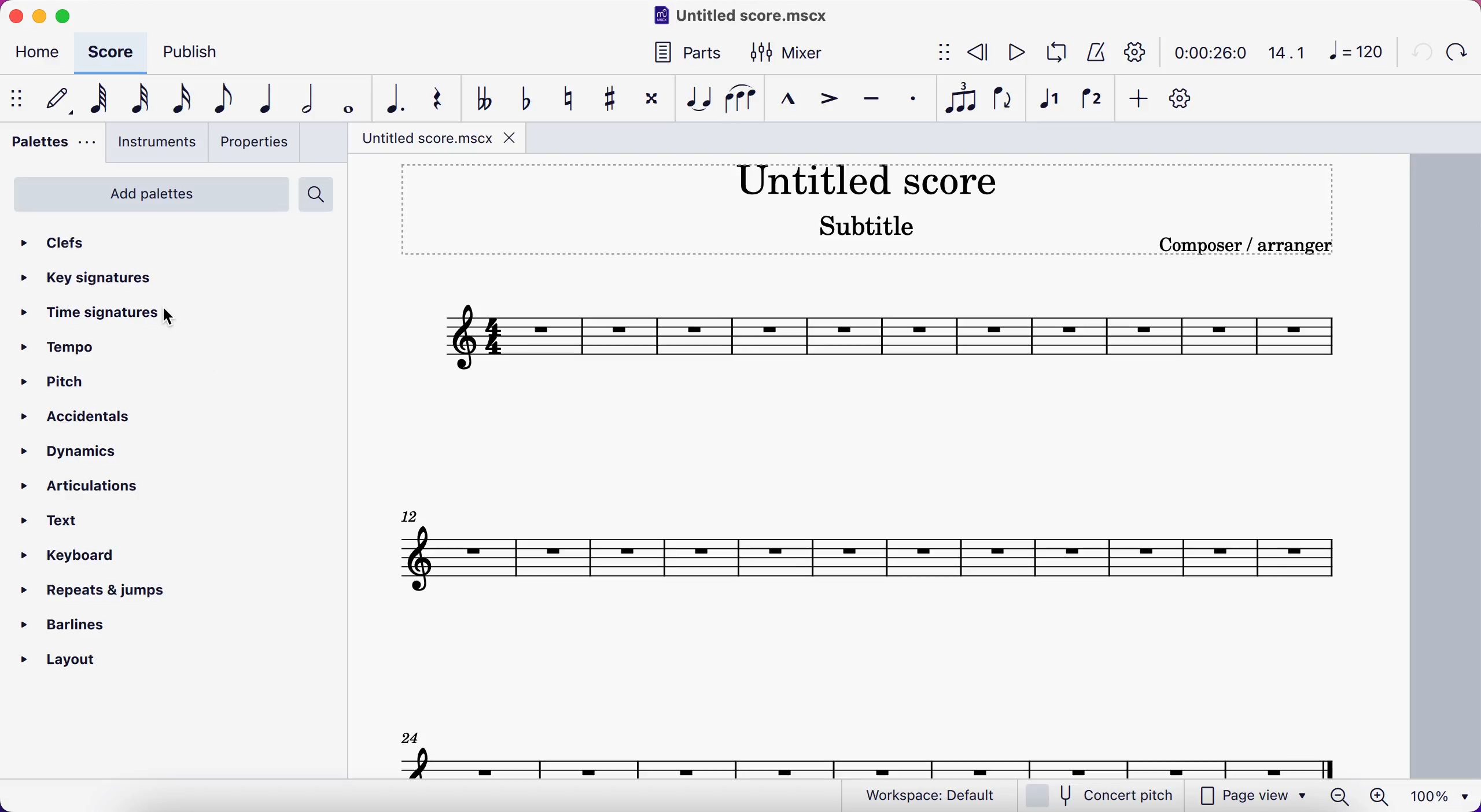 Image resolution: width=1481 pixels, height=812 pixels. I want to click on customize toolbar, so click(1184, 98).